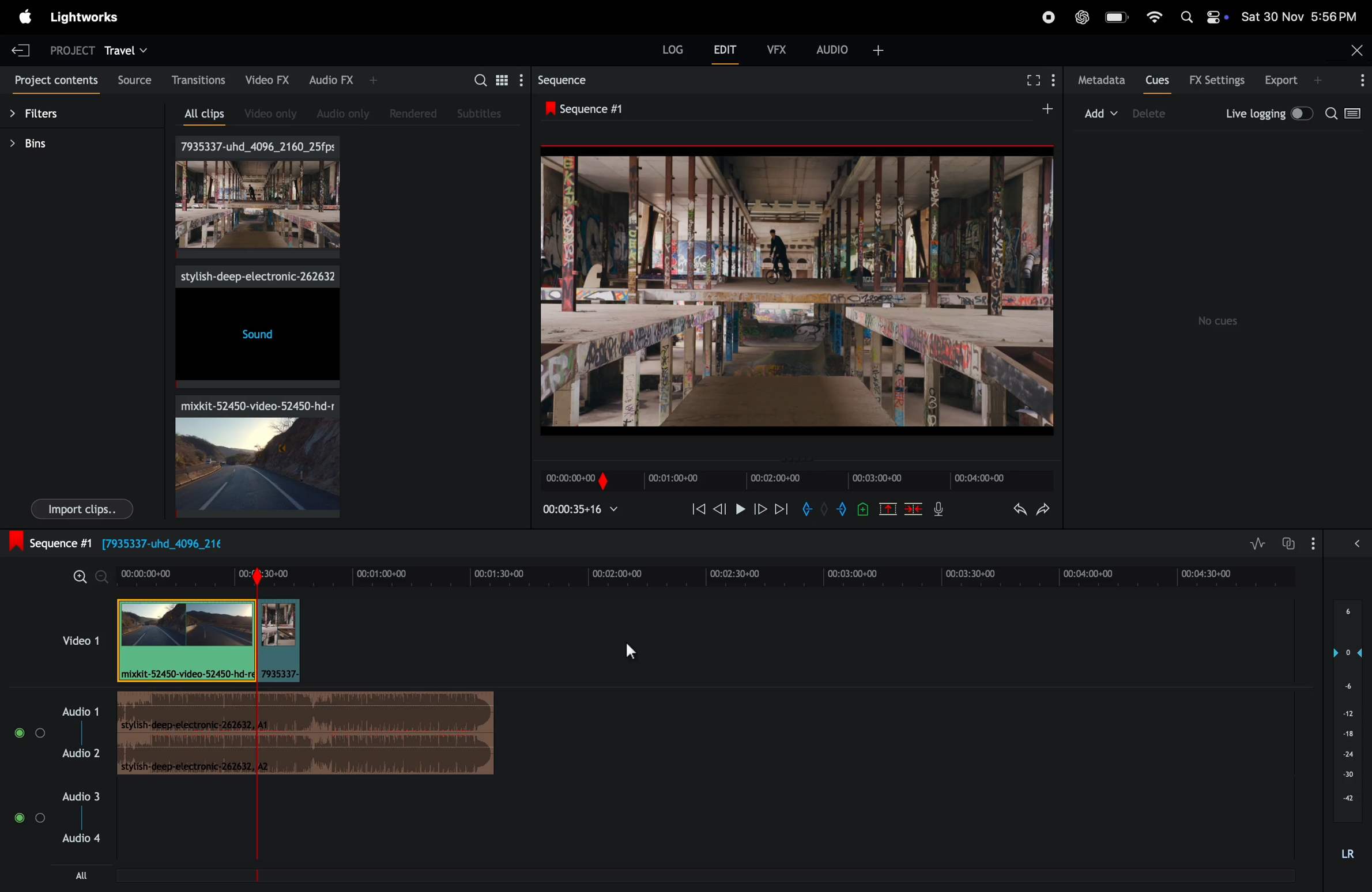 The image size is (1372, 892). Describe the element at coordinates (128, 50) in the screenshot. I see `travel` at that location.